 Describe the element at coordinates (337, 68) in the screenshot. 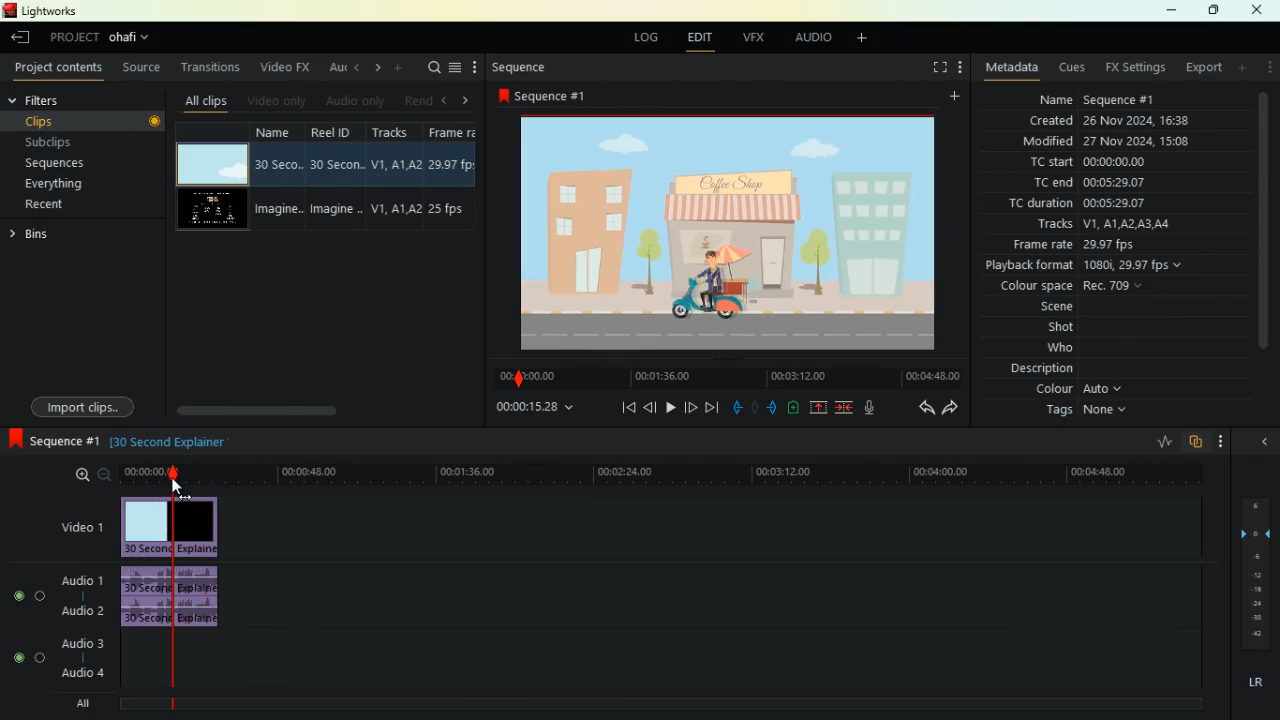

I see `au` at that location.